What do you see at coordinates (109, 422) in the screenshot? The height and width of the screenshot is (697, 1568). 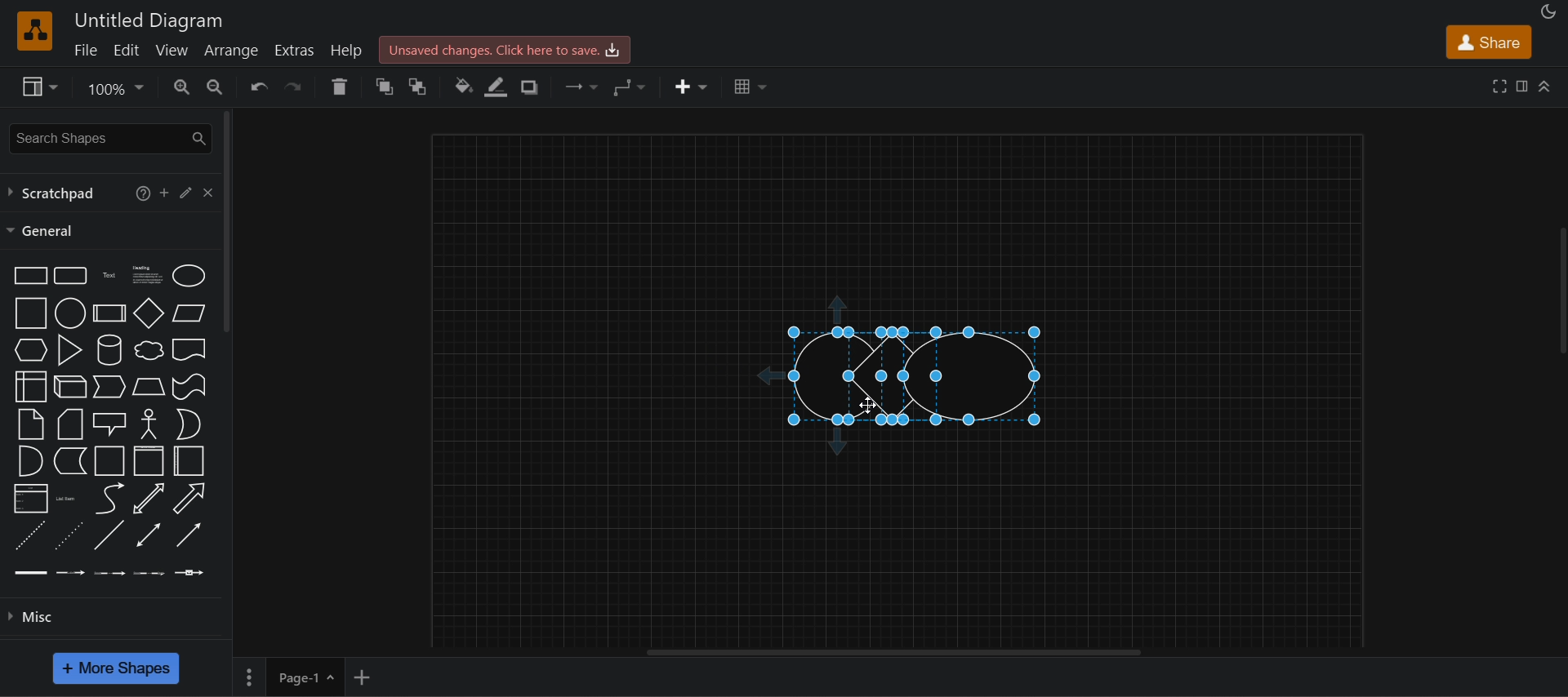 I see `call out` at bounding box center [109, 422].